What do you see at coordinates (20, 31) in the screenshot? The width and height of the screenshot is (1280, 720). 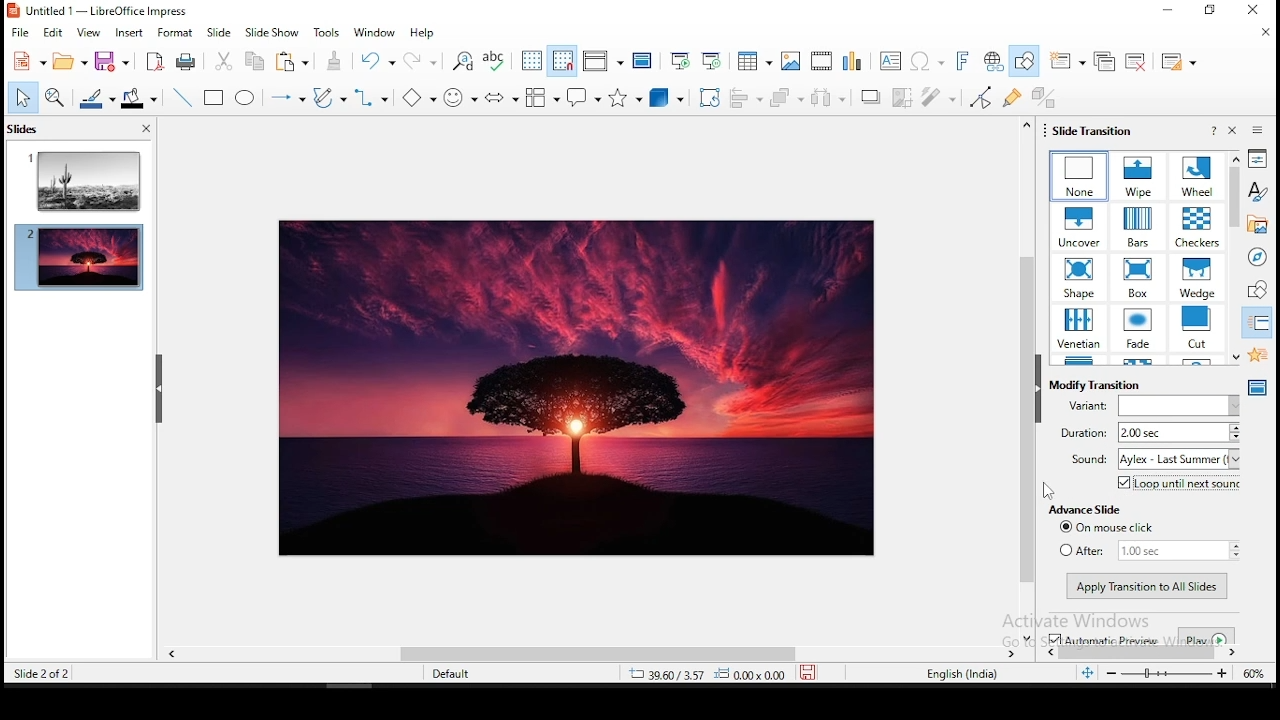 I see `file` at bounding box center [20, 31].